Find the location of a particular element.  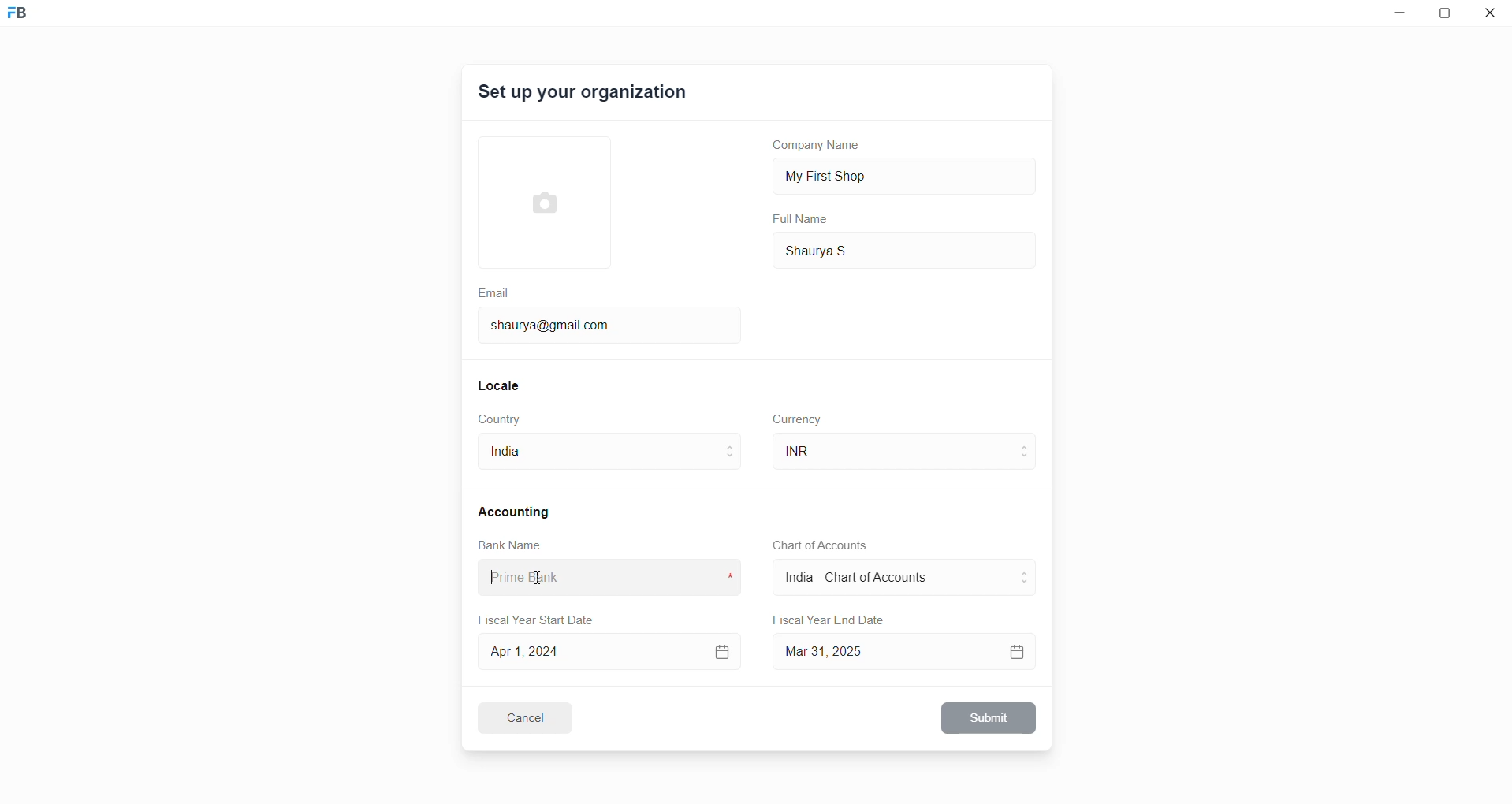

Submit  is located at coordinates (990, 718).